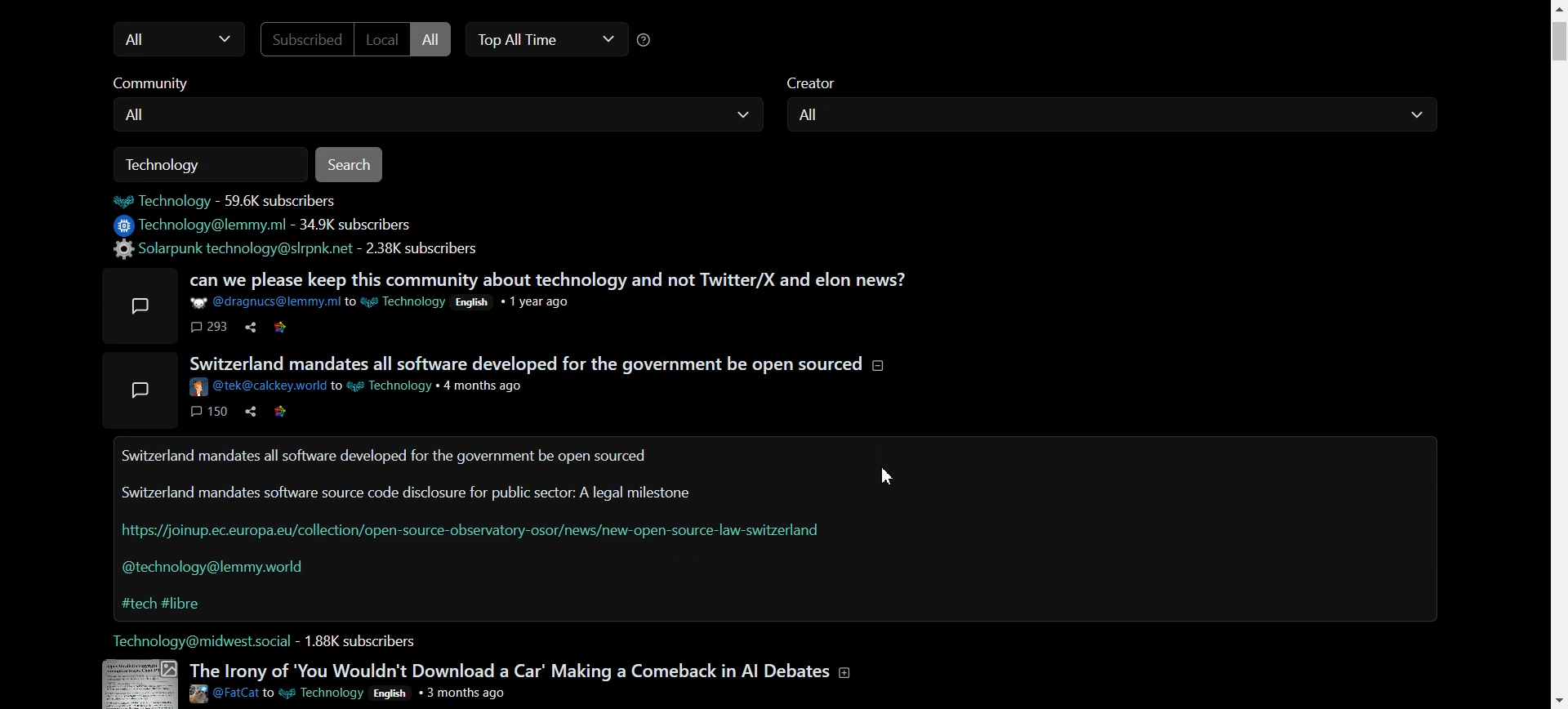 This screenshot has height=709, width=1568. Describe the element at coordinates (381, 40) in the screenshot. I see `Local` at that location.